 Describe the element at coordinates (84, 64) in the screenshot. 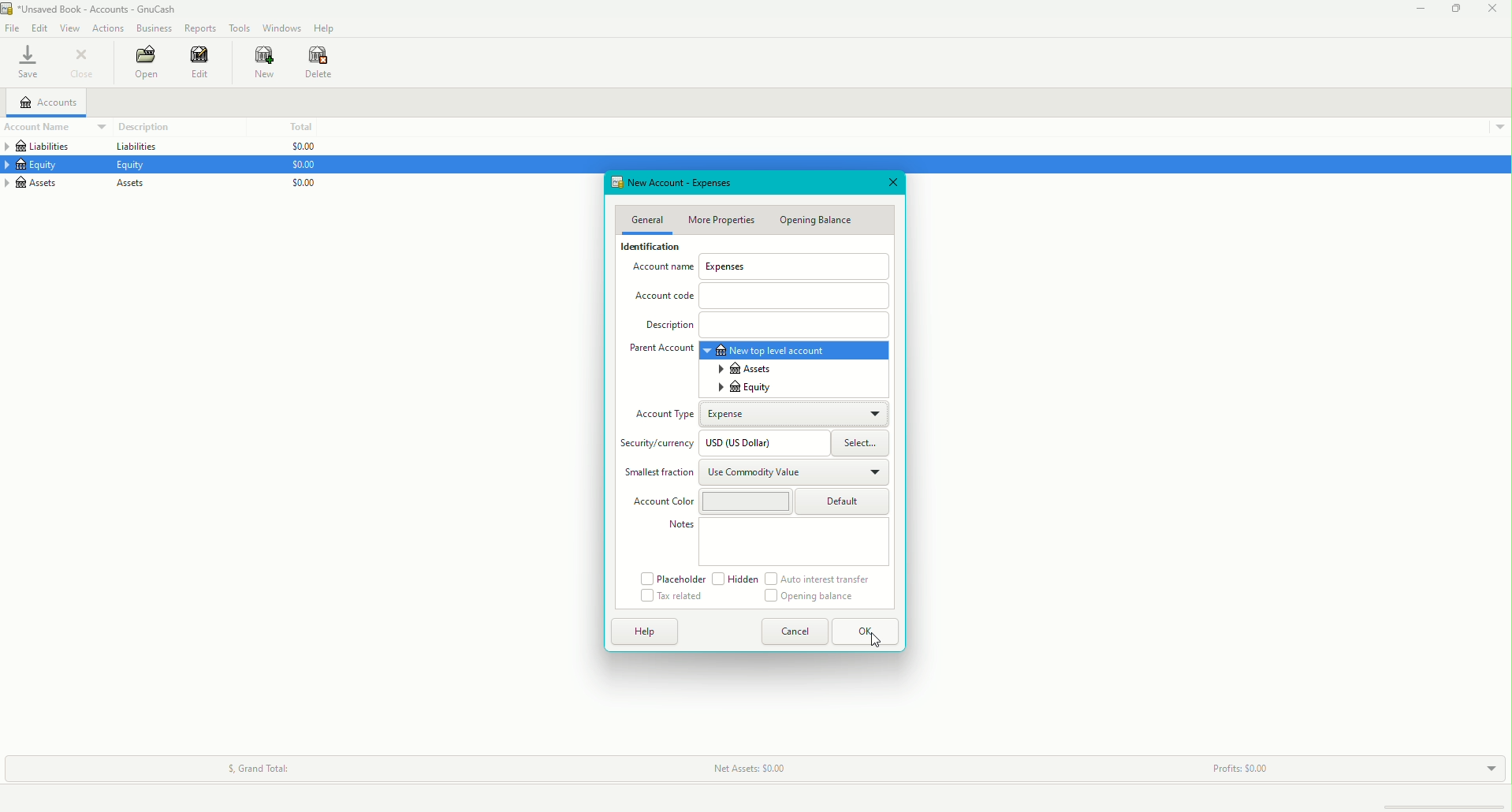

I see `Close` at that location.